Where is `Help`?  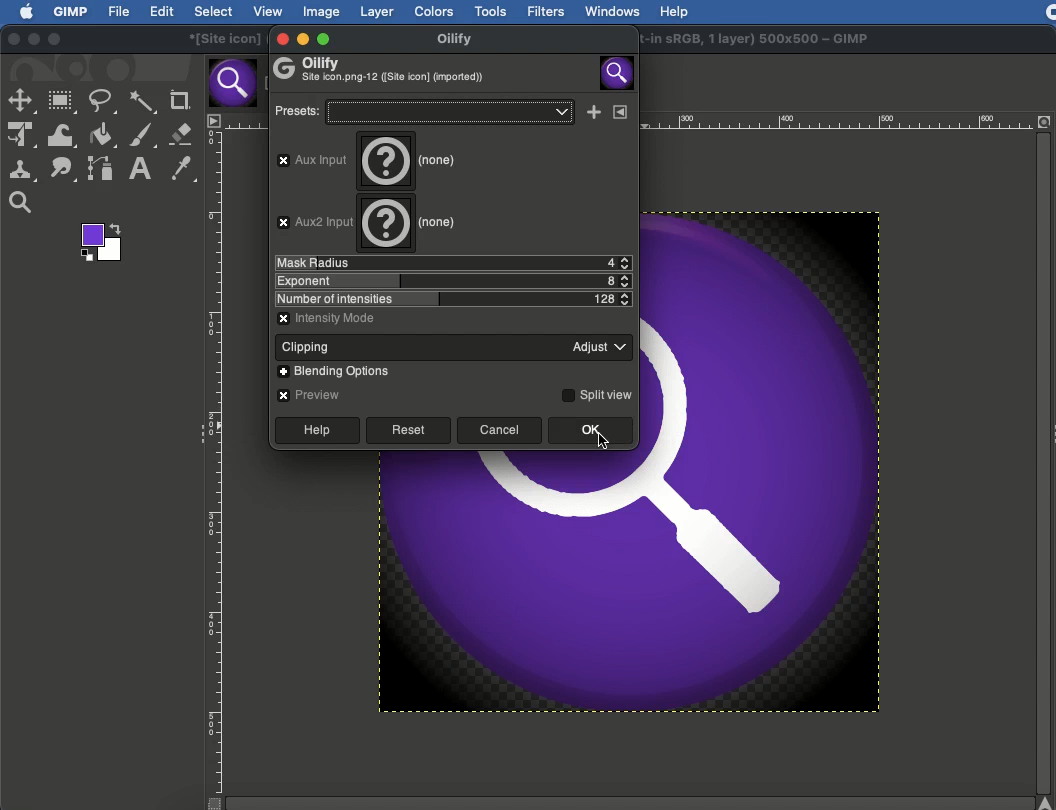 Help is located at coordinates (675, 12).